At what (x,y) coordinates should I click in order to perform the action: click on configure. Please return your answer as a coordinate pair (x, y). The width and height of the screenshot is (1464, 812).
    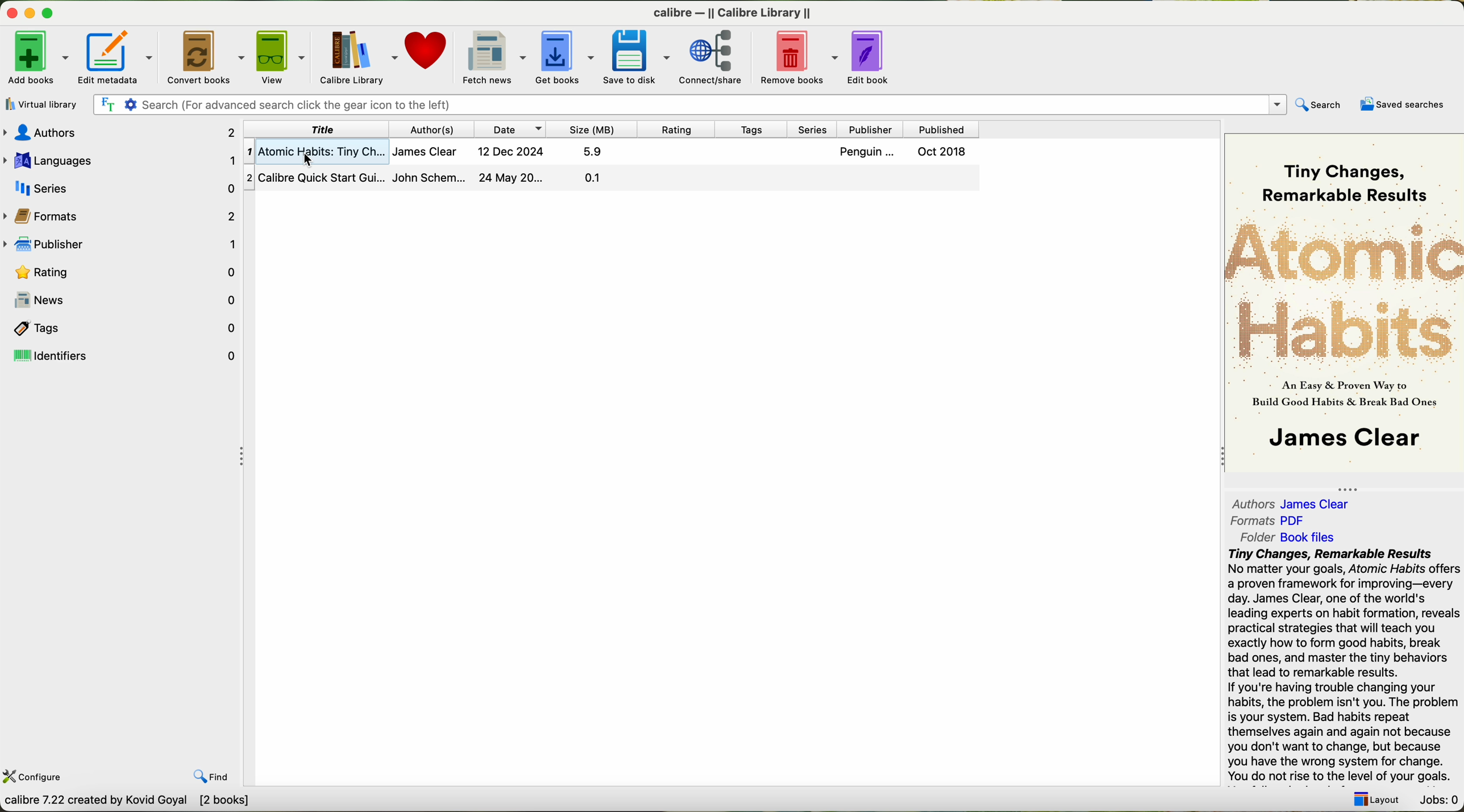
    Looking at the image, I should click on (34, 777).